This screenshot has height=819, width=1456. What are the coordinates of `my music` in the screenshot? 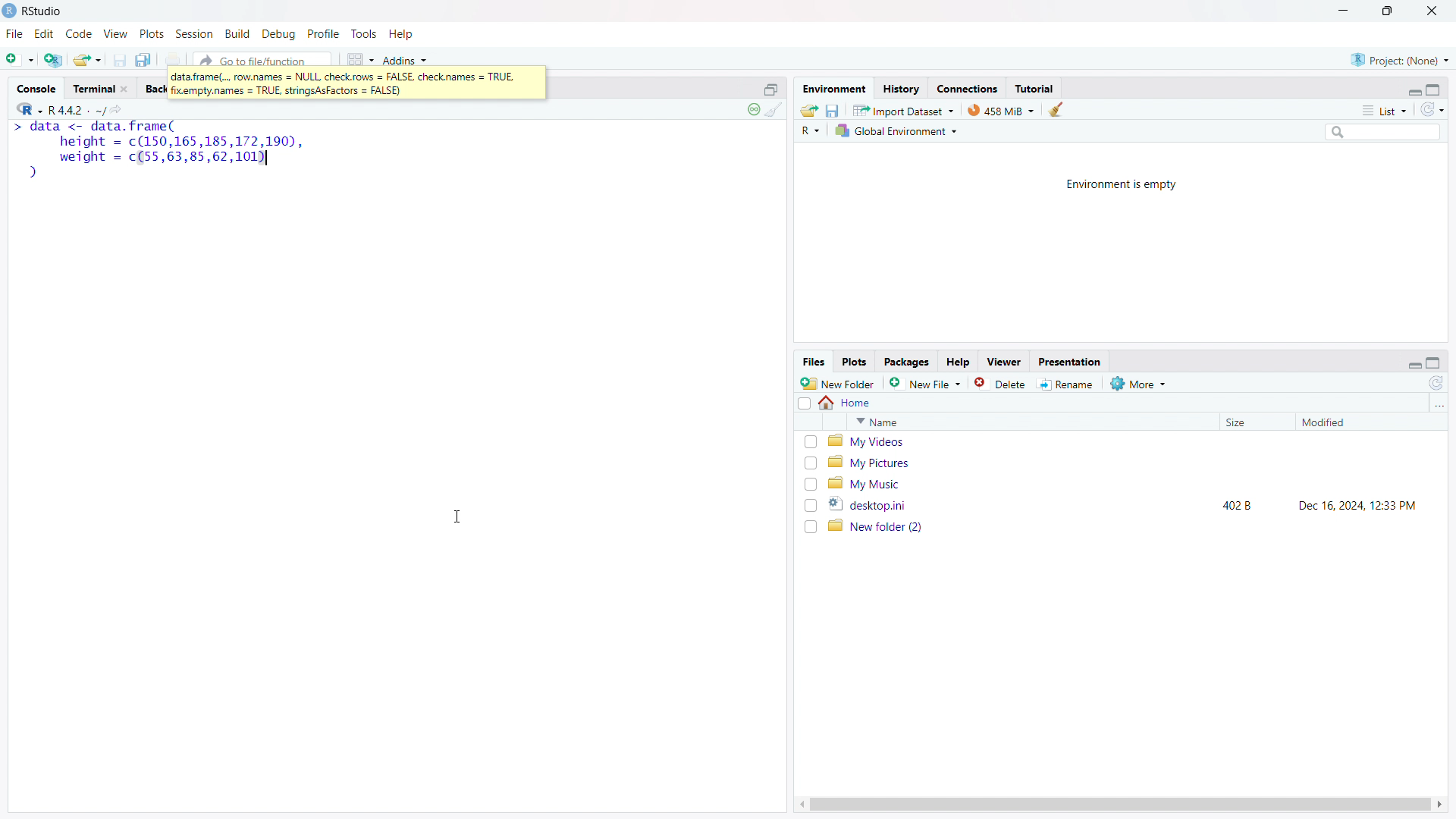 It's located at (1130, 483).